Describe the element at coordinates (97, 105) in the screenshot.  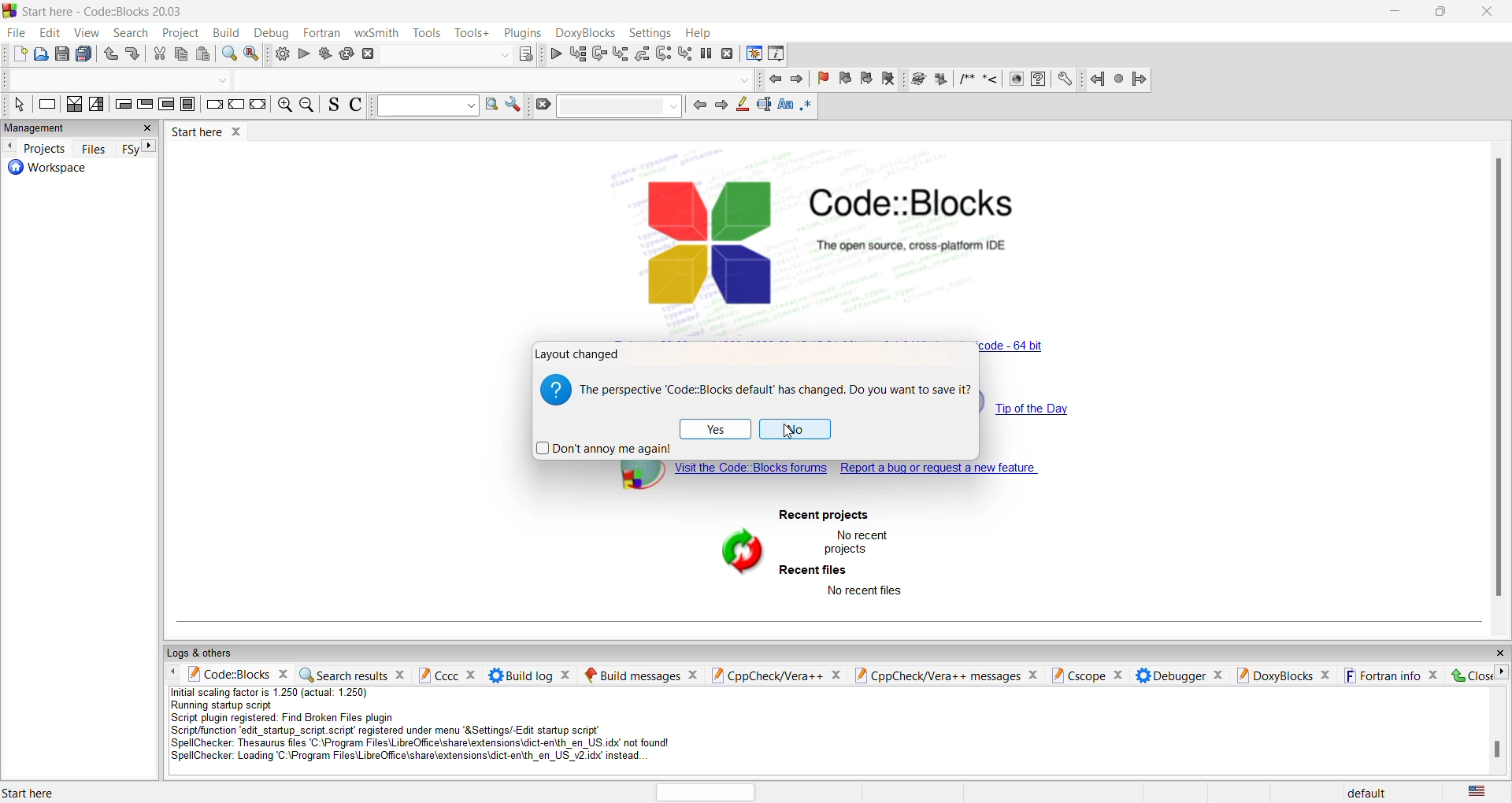
I see `selection` at that location.